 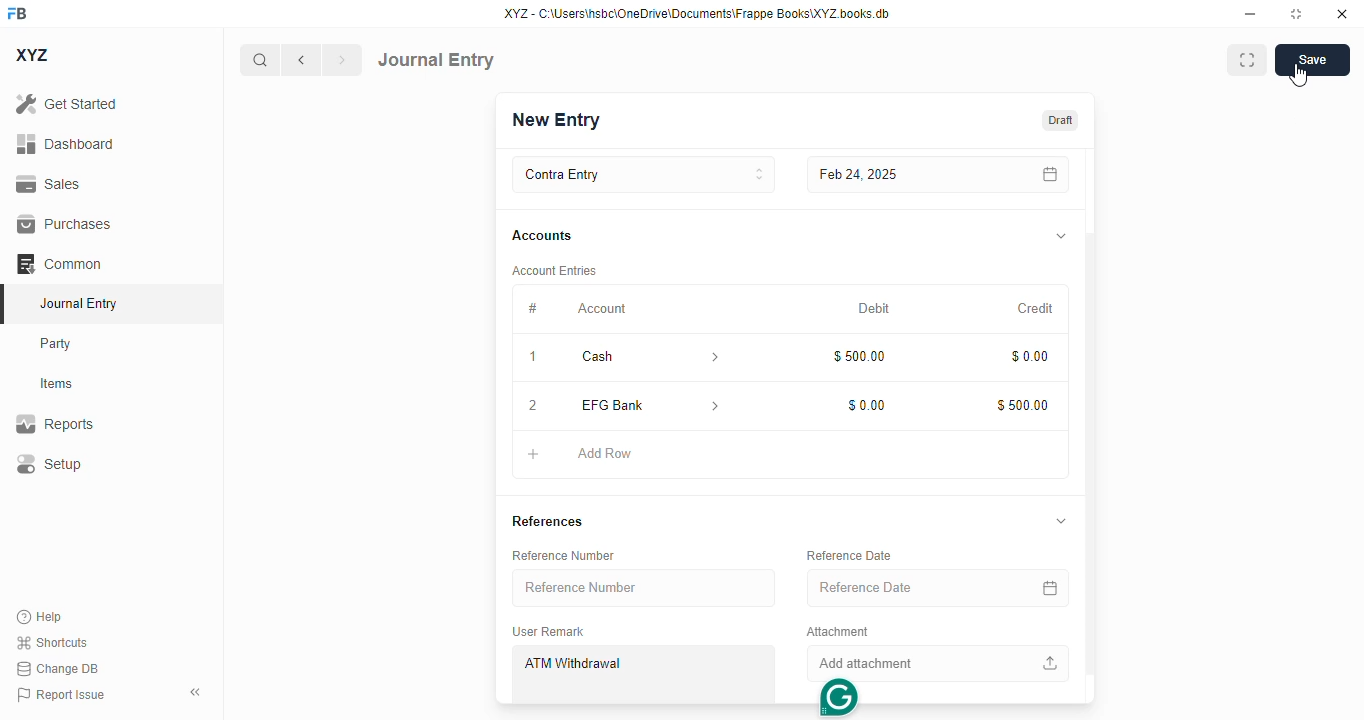 I want to click on $500.00 , so click(x=858, y=356).